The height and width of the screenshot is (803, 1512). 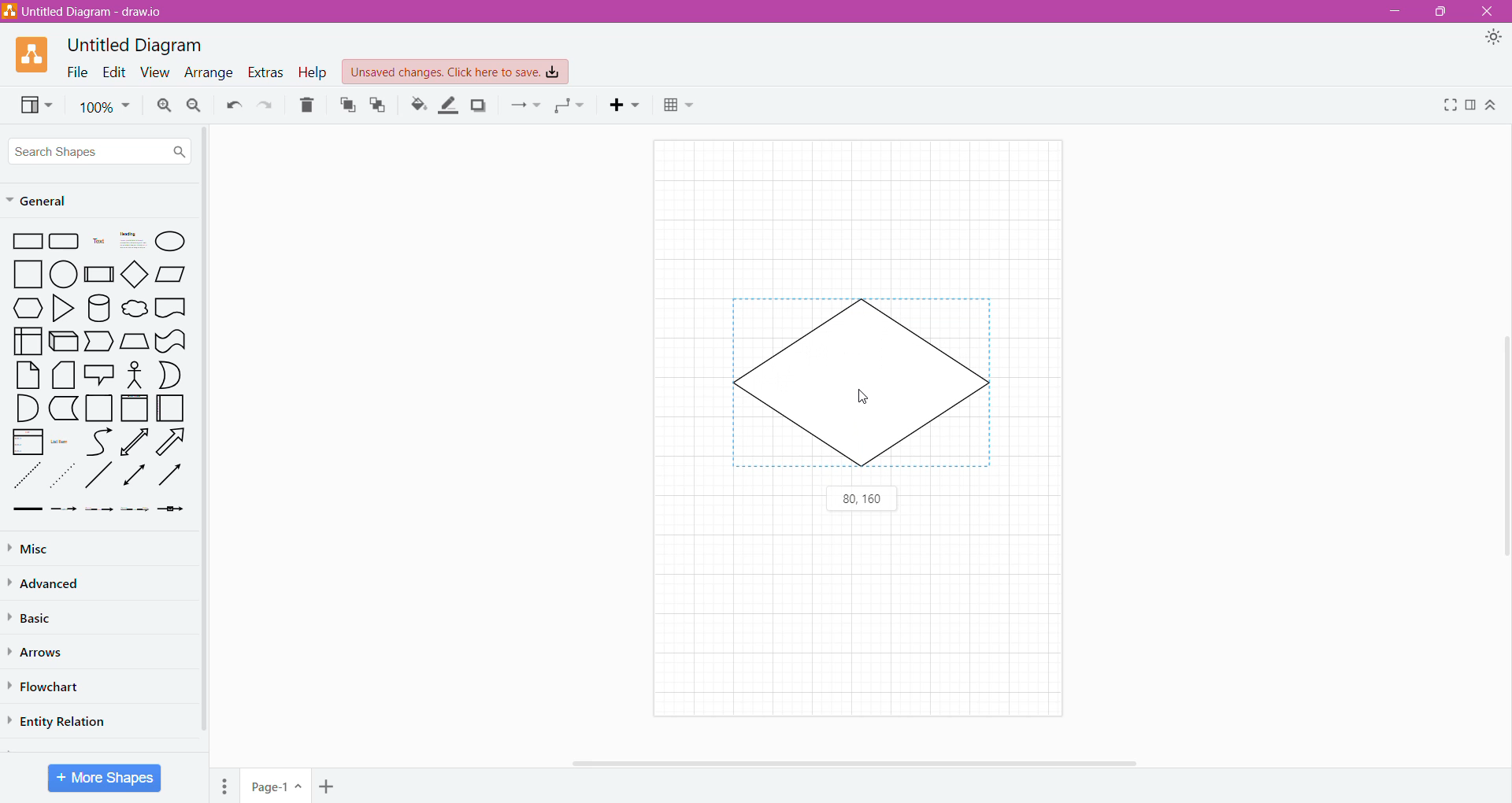 What do you see at coordinates (865, 400) in the screenshot?
I see `Cursor Position` at bounding box center [865, 400].